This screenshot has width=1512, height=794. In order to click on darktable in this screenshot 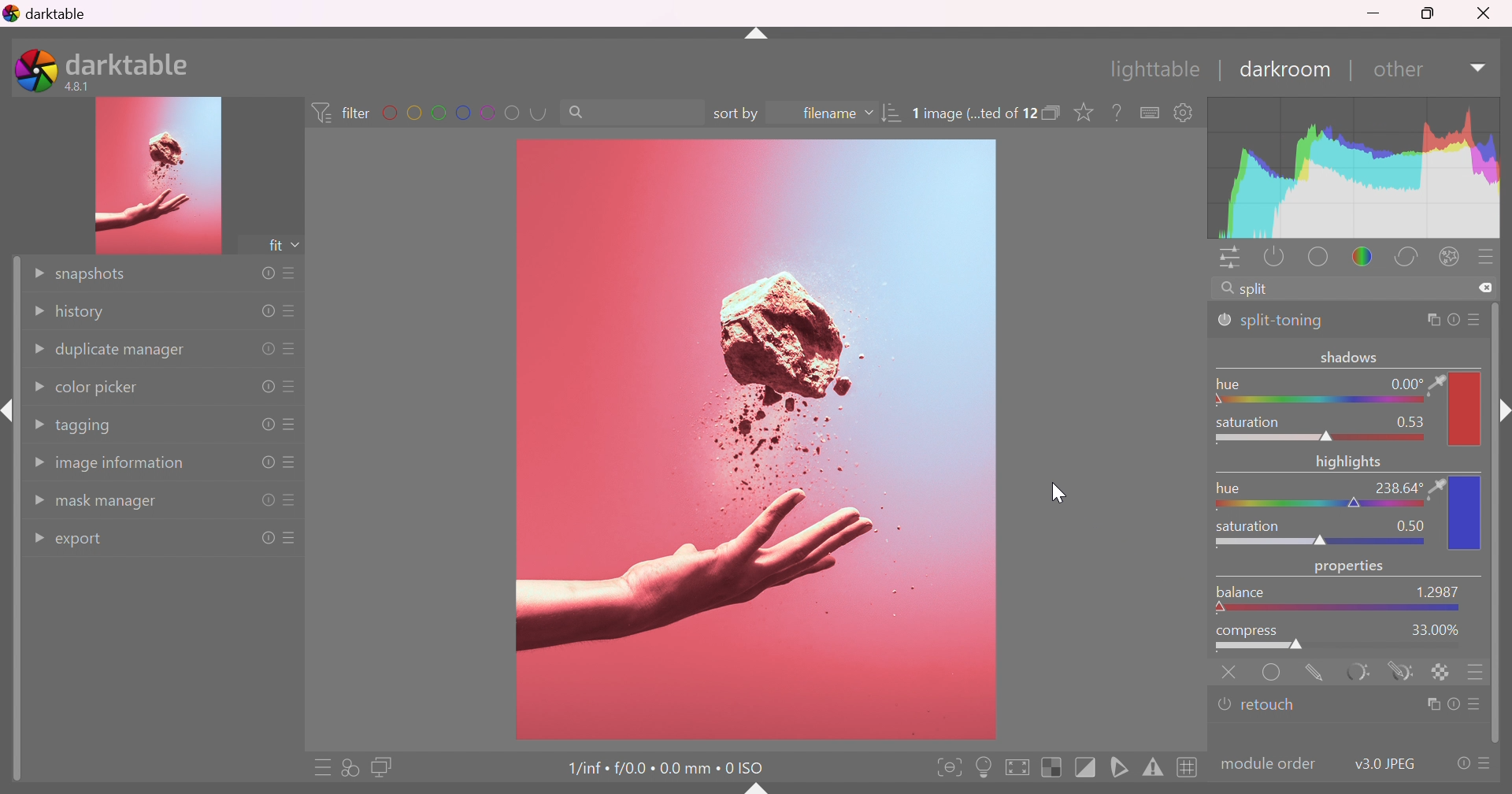, I will do `click(132, 63)`.